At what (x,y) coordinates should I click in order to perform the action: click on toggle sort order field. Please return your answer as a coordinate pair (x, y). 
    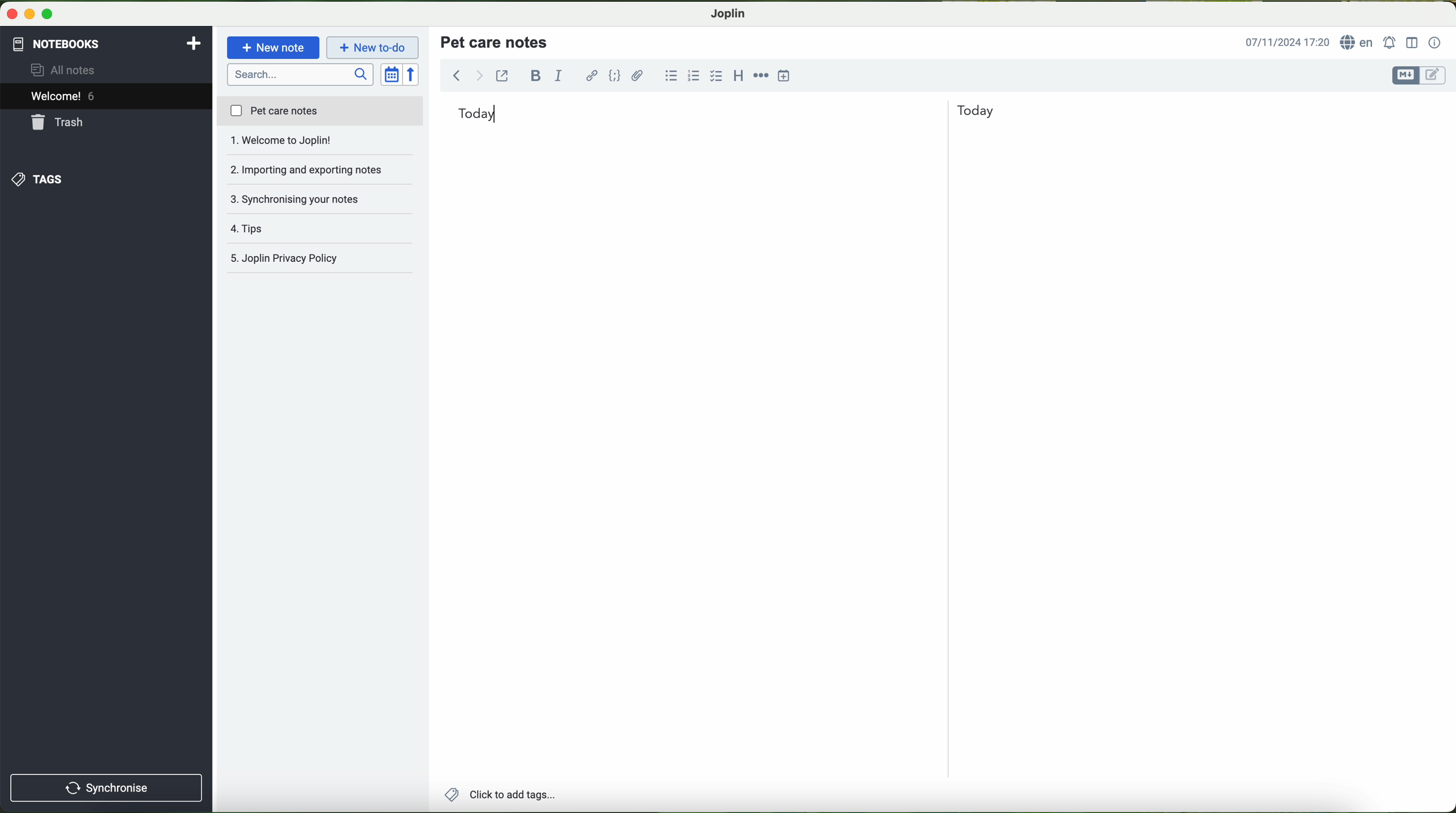
    Looking at the image, I should click on (392, 75).